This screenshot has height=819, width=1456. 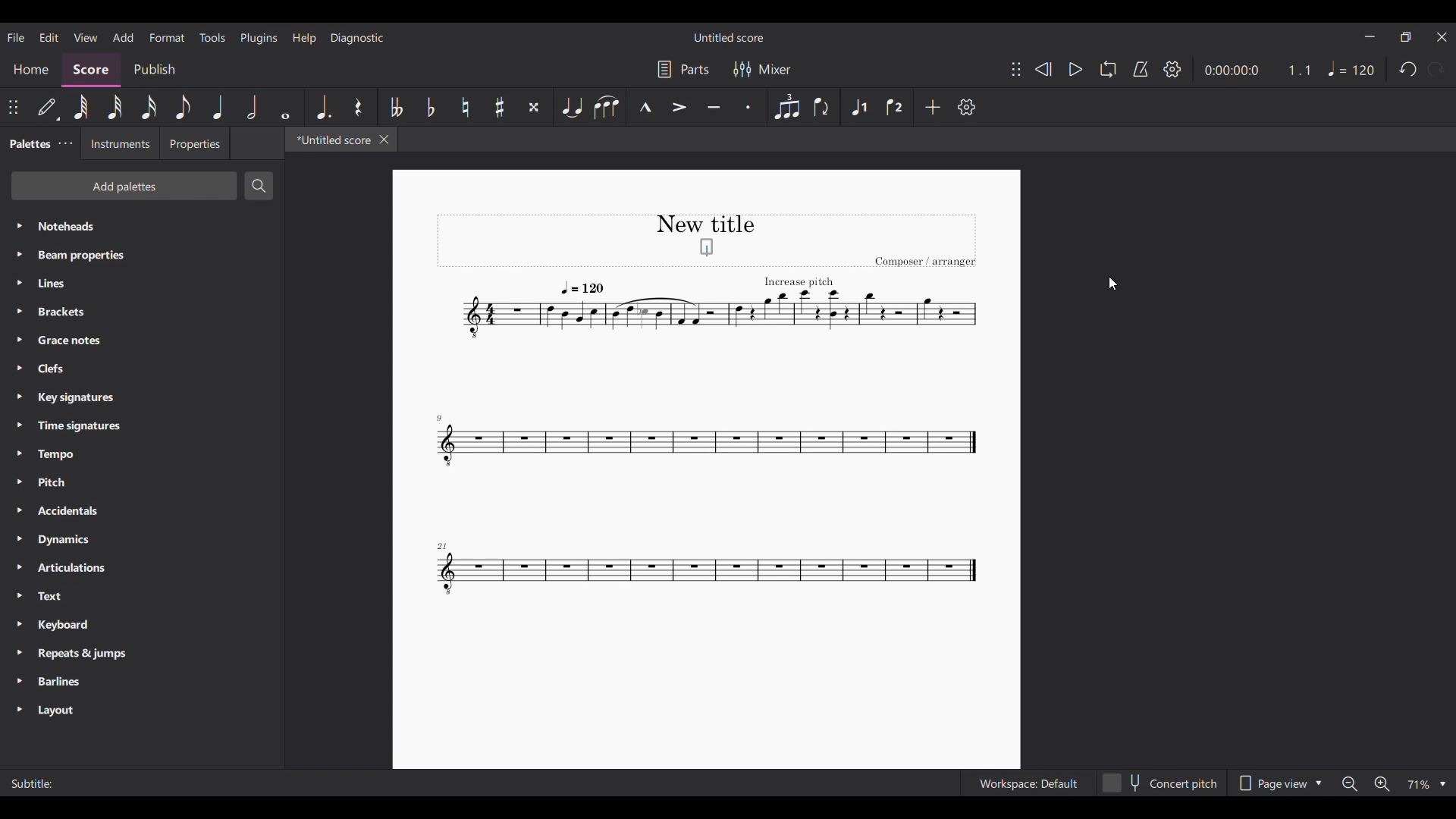 I want to click on Voice 1, so click(x=860, y=108).